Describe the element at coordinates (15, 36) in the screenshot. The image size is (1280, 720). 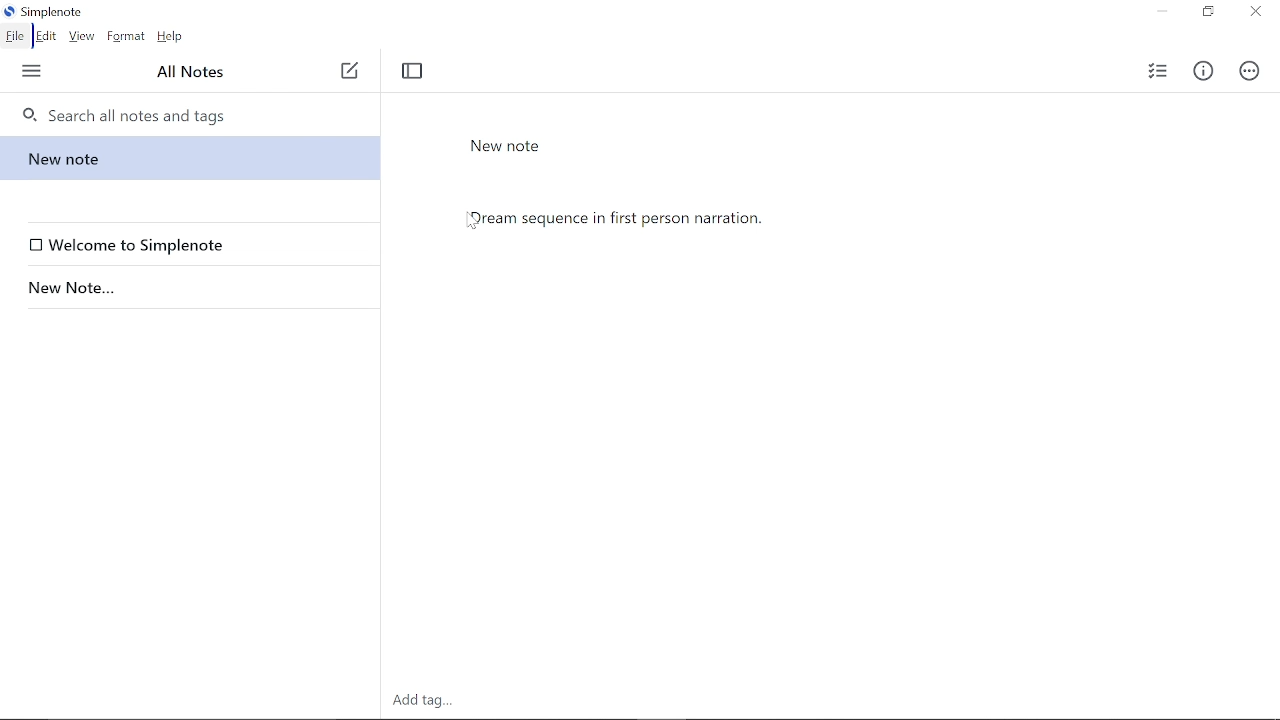
I see `File` at that location.